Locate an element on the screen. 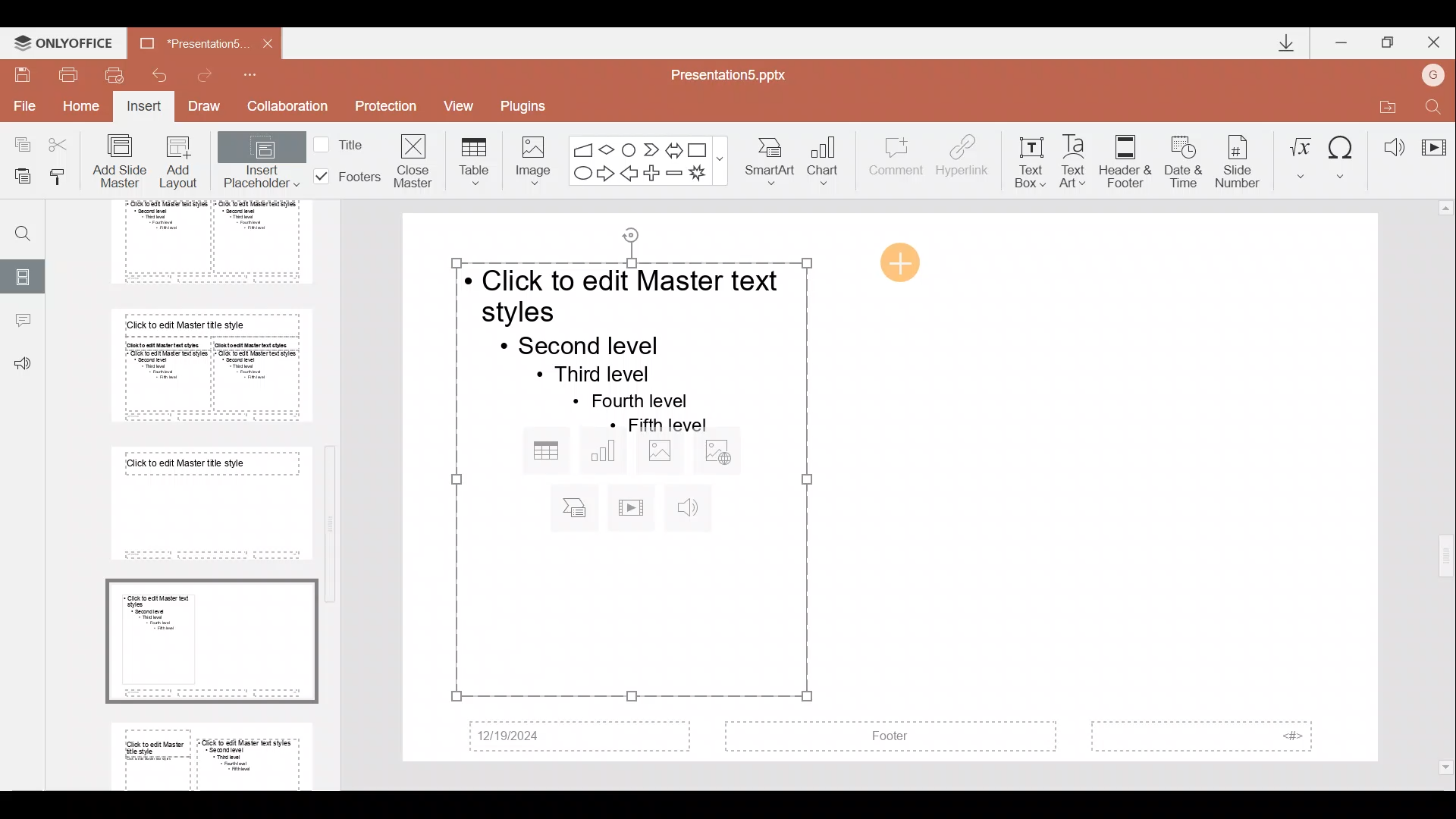 The height and width of the screenshot is (819, 1456). Insert placeholder is located at coordinates (260, 163).